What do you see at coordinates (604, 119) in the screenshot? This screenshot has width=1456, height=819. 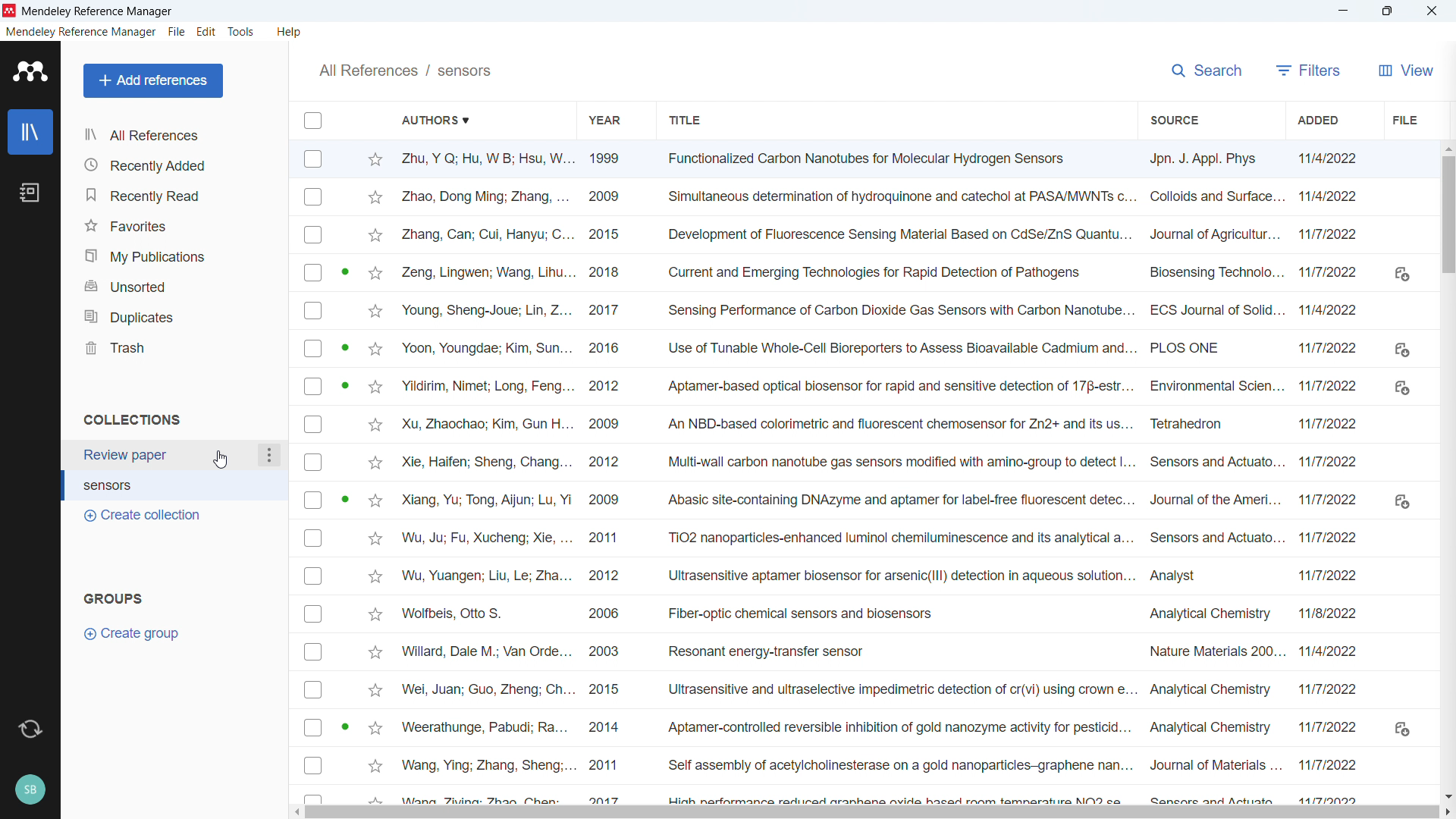 I see `Sort by year of publication ` at bounding box center [604, 119].